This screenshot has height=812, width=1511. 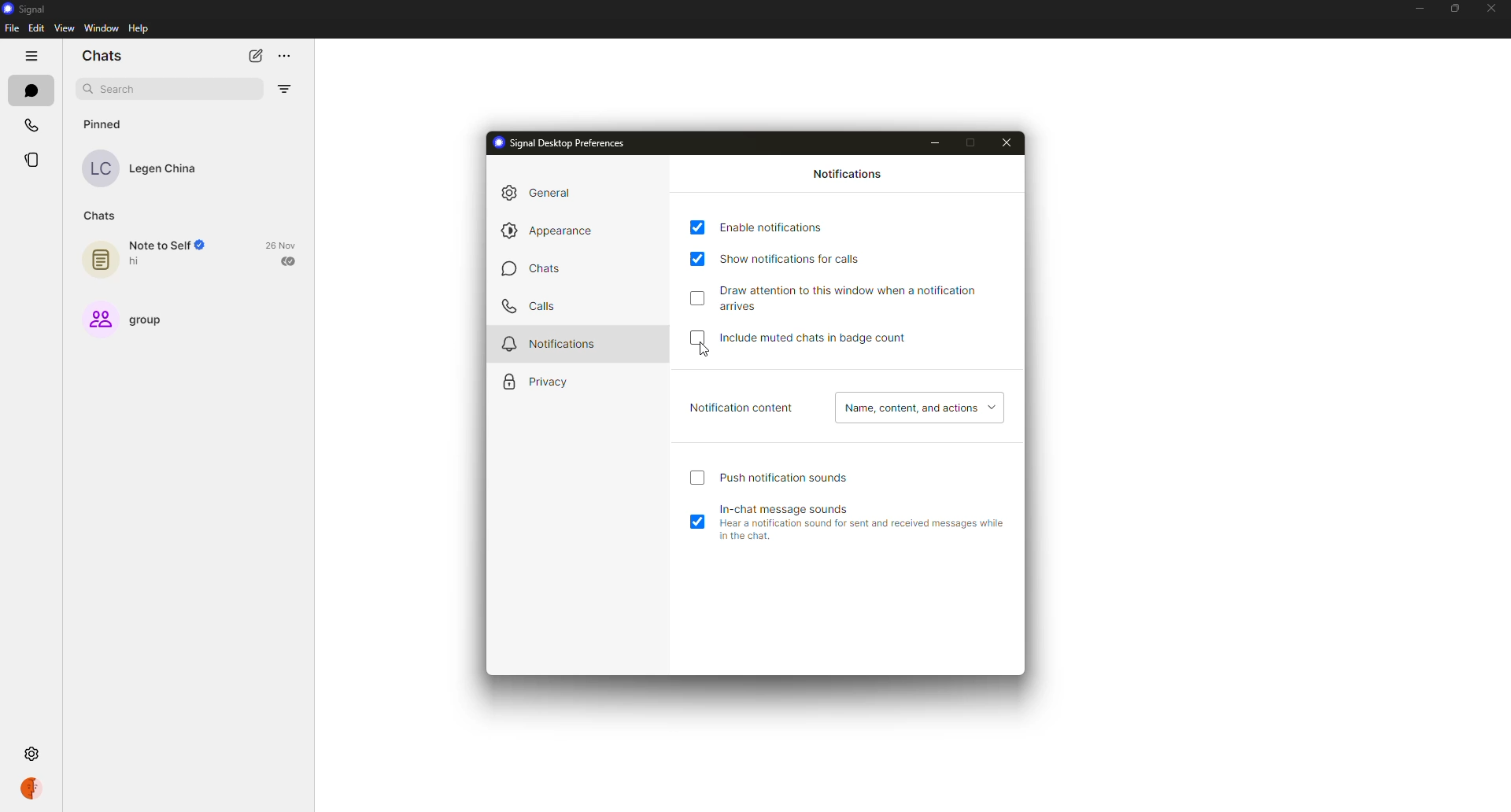 I want to click on name, content, actions, so click(x=916, y=407).